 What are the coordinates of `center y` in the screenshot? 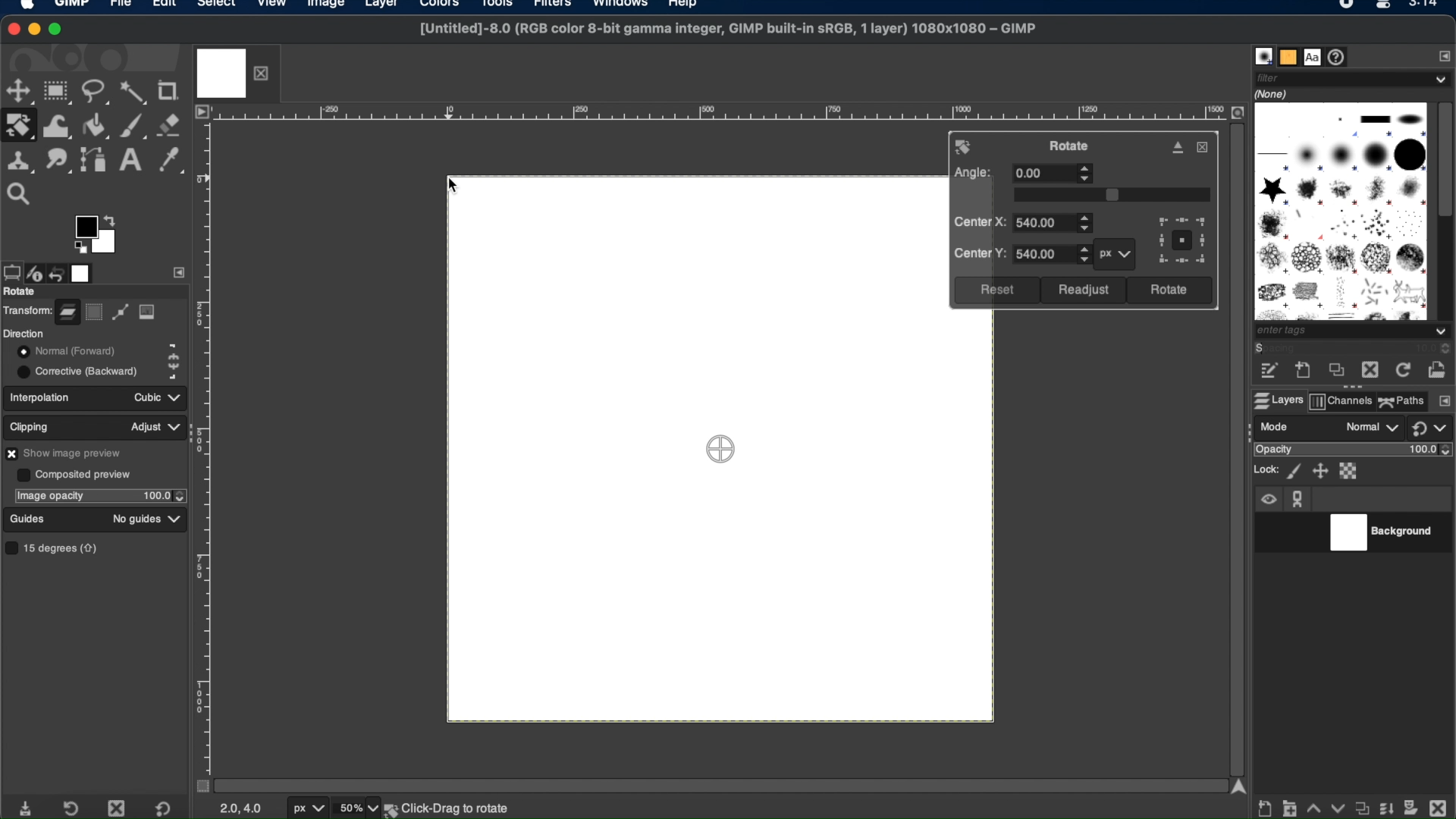 It's located at (1020, 254).